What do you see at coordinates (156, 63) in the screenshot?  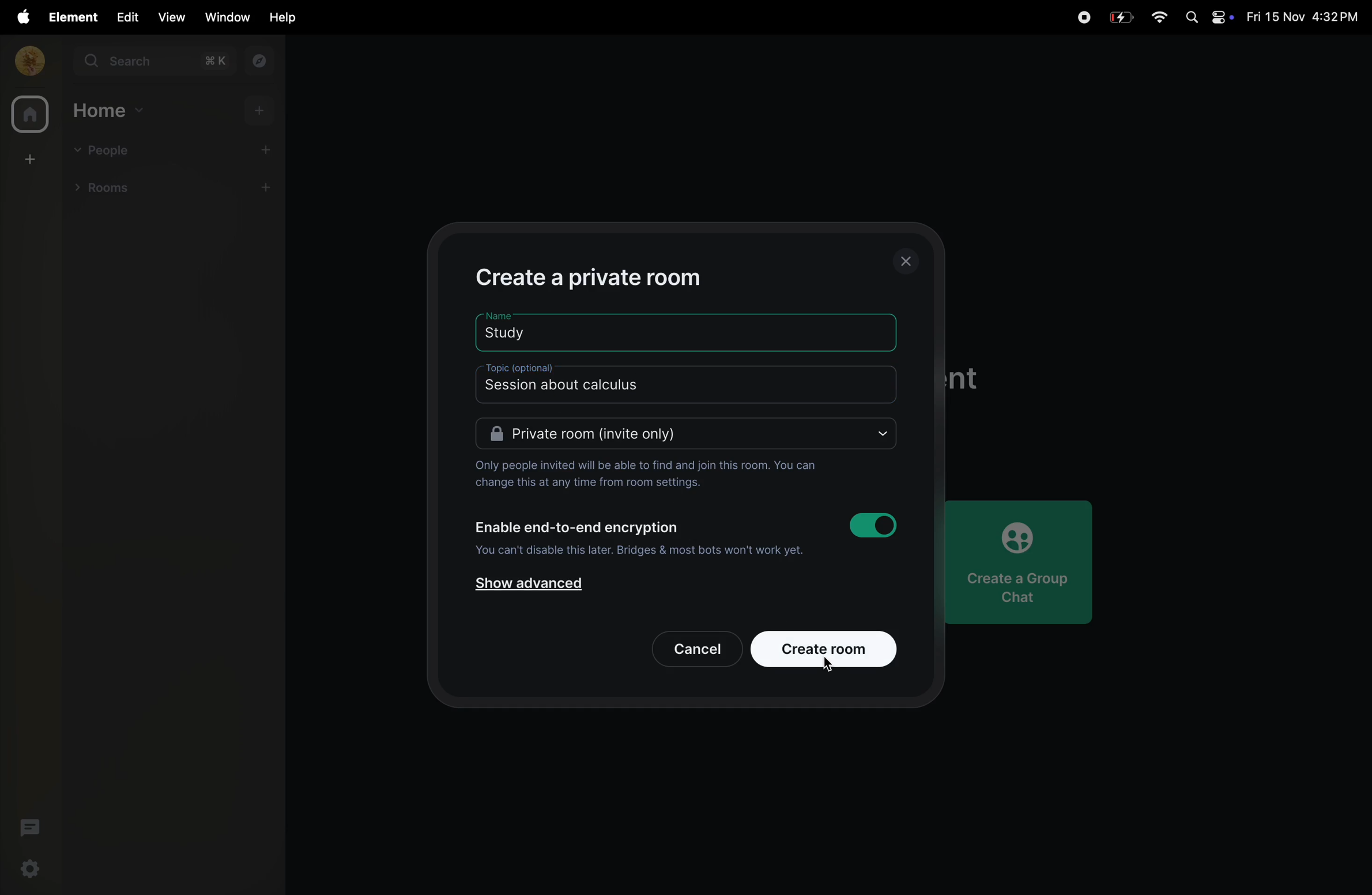 I see `search bar` at bounding box center [156, 63].